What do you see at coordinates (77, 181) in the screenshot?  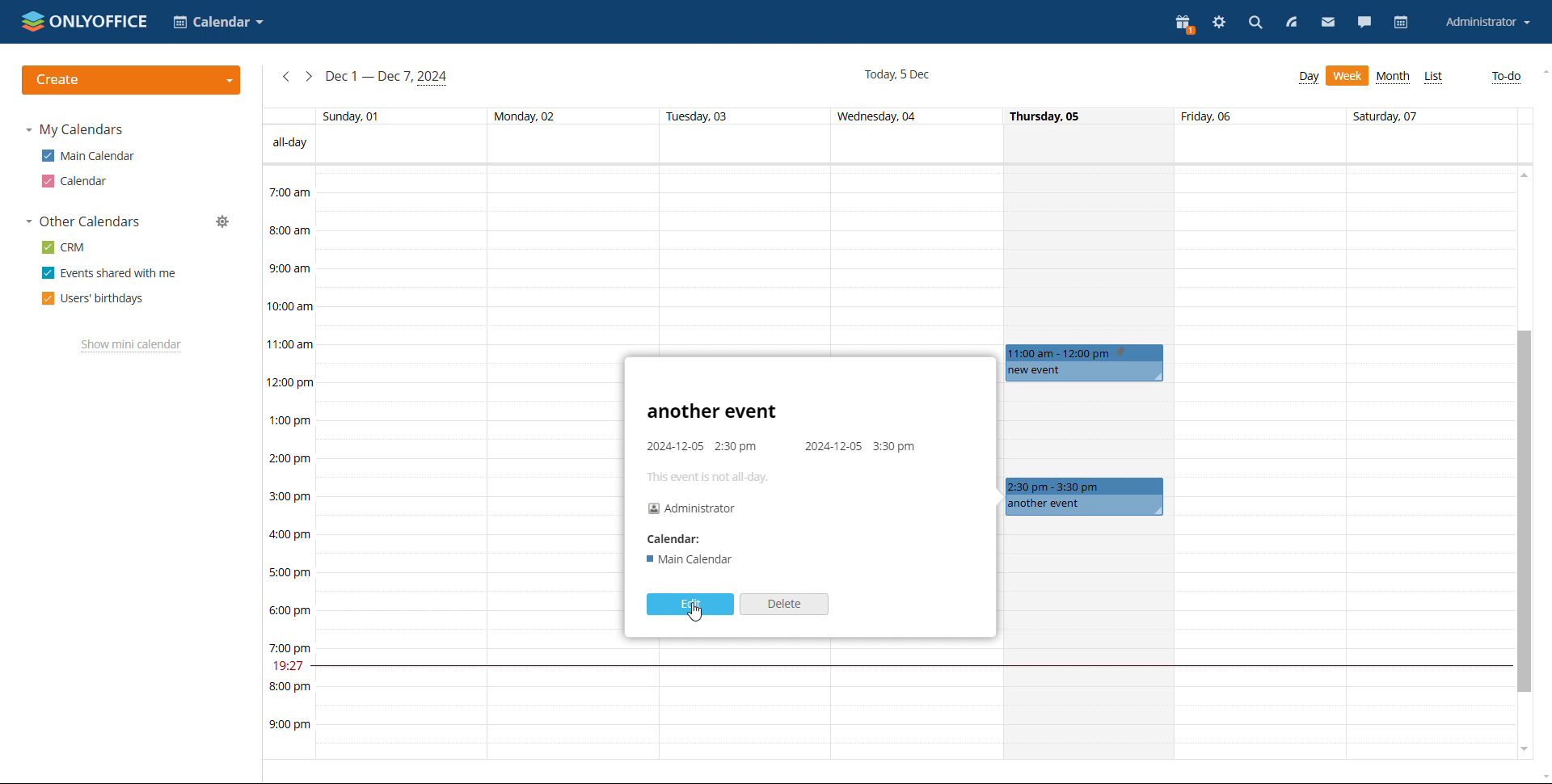 I see `calendar` at bounding box center [77, 181].